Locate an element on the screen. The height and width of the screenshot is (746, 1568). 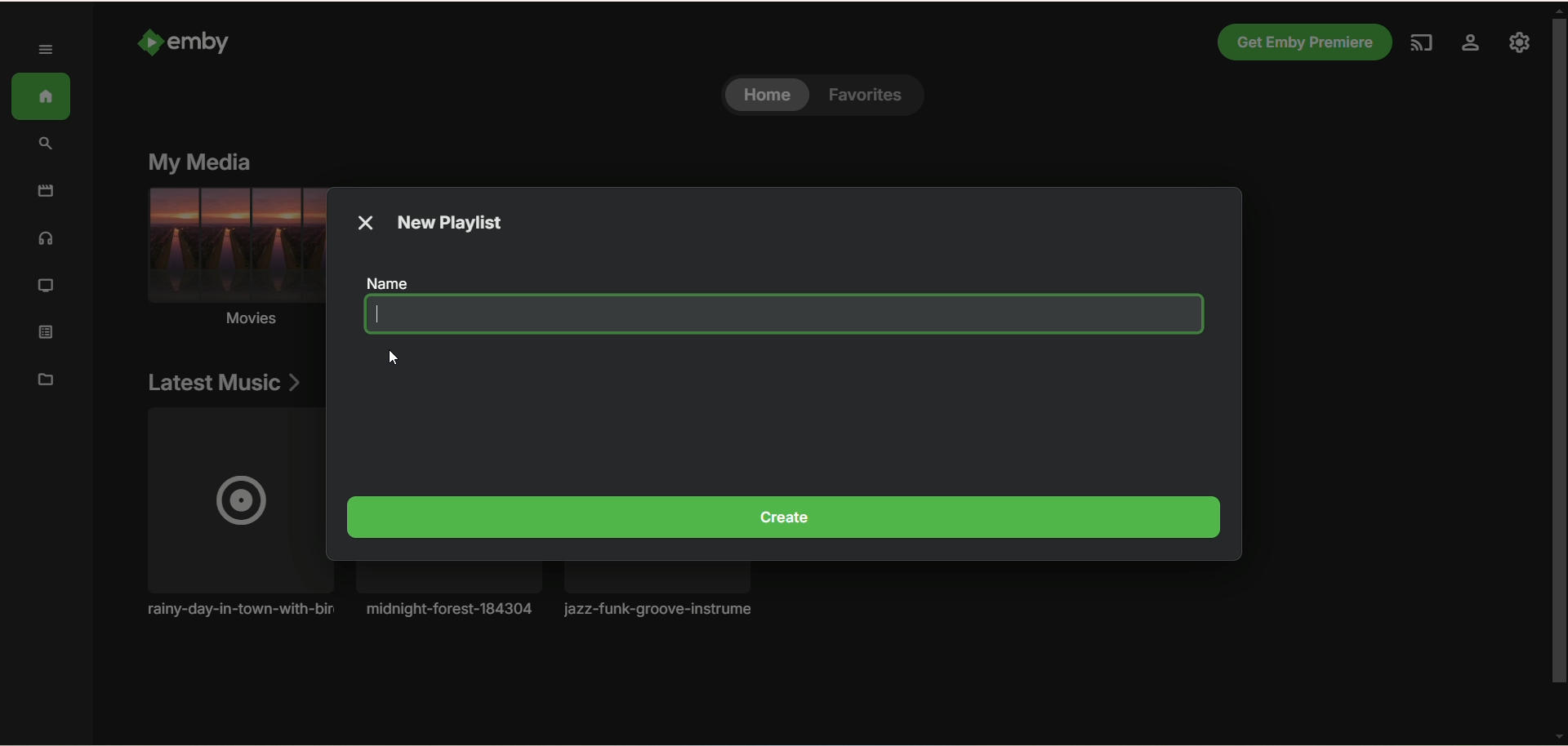
emby is located at coordinates (200, 42).